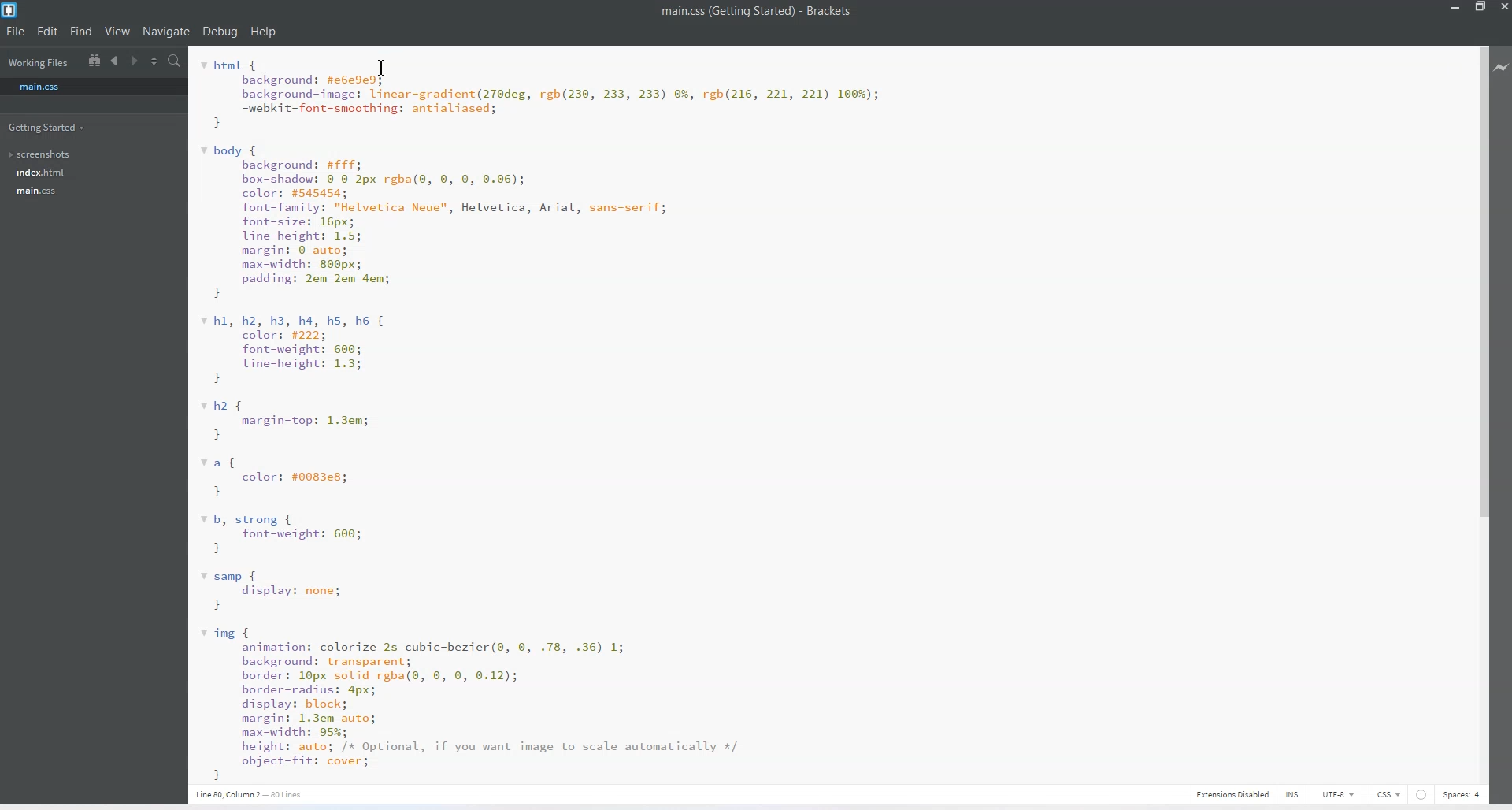 This screenshot has width=1512, height=810. Describe the element at coordinates (37, 63) in the screenshot. I see `Working Files` at that location.